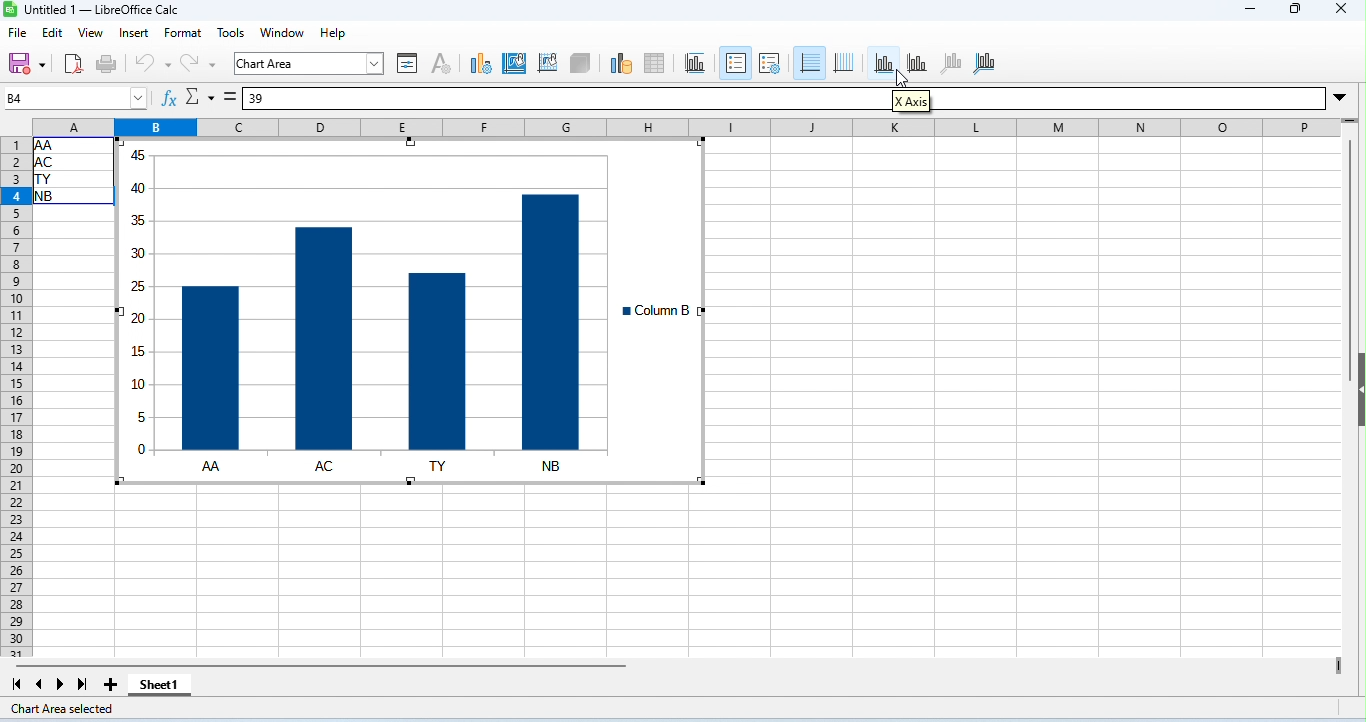 The height and width of the screenshot is (722, 1366). I want to click on drop down, so click(1344, 102).